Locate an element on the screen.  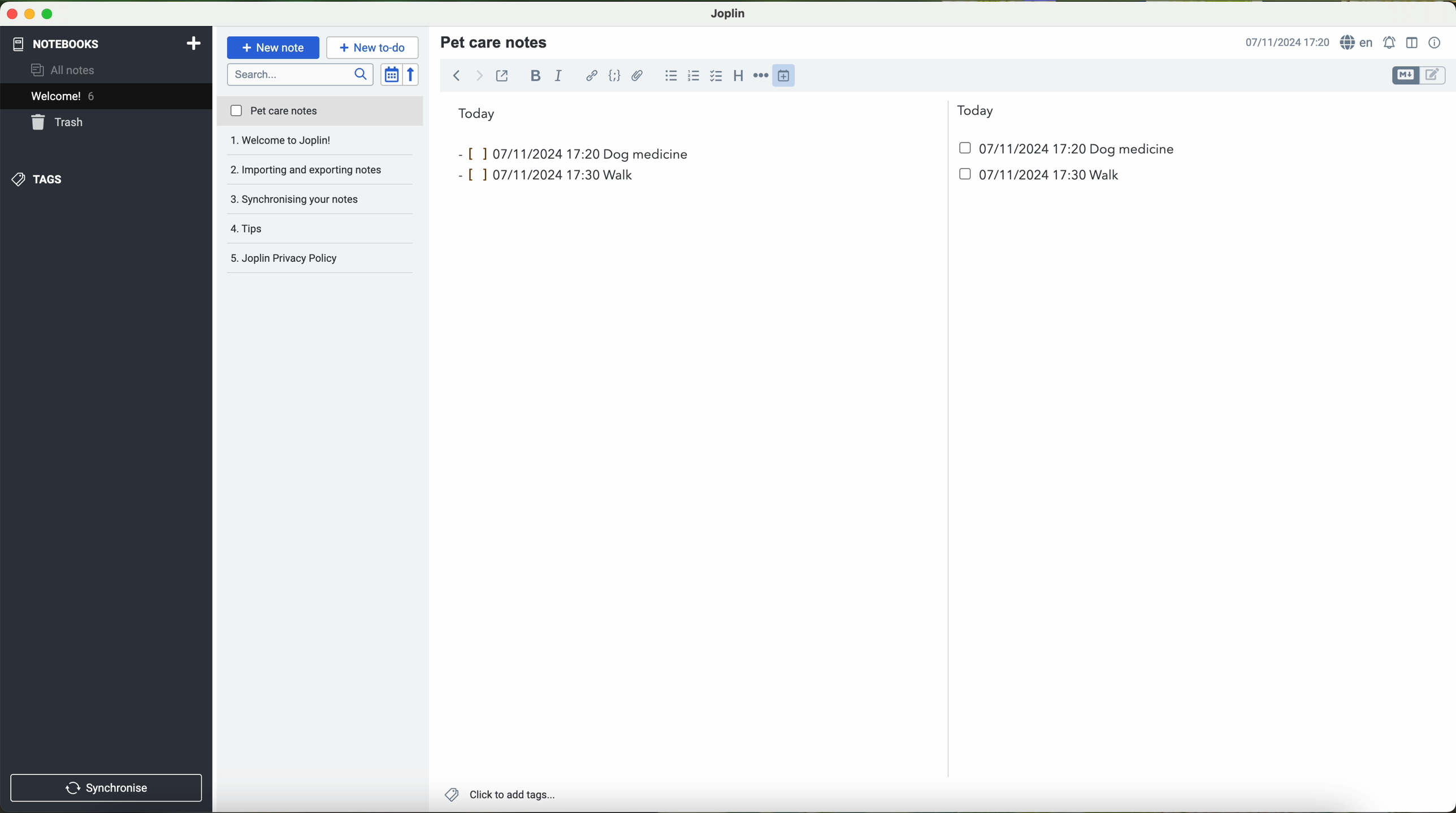
screen buttons is located at coordinates (28, 15).